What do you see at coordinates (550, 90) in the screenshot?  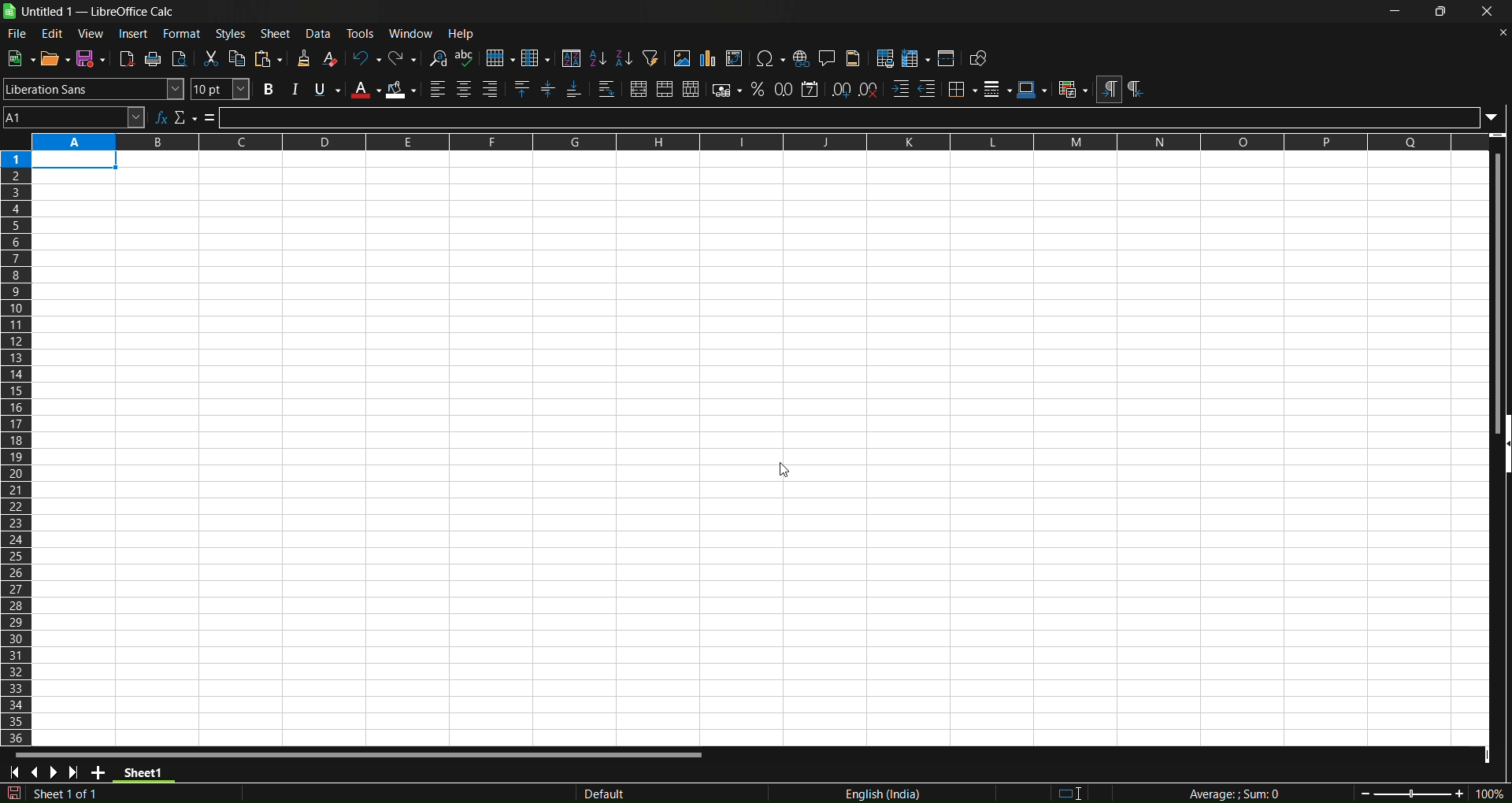 I see `center vertically` at bounding box center [550, 90].